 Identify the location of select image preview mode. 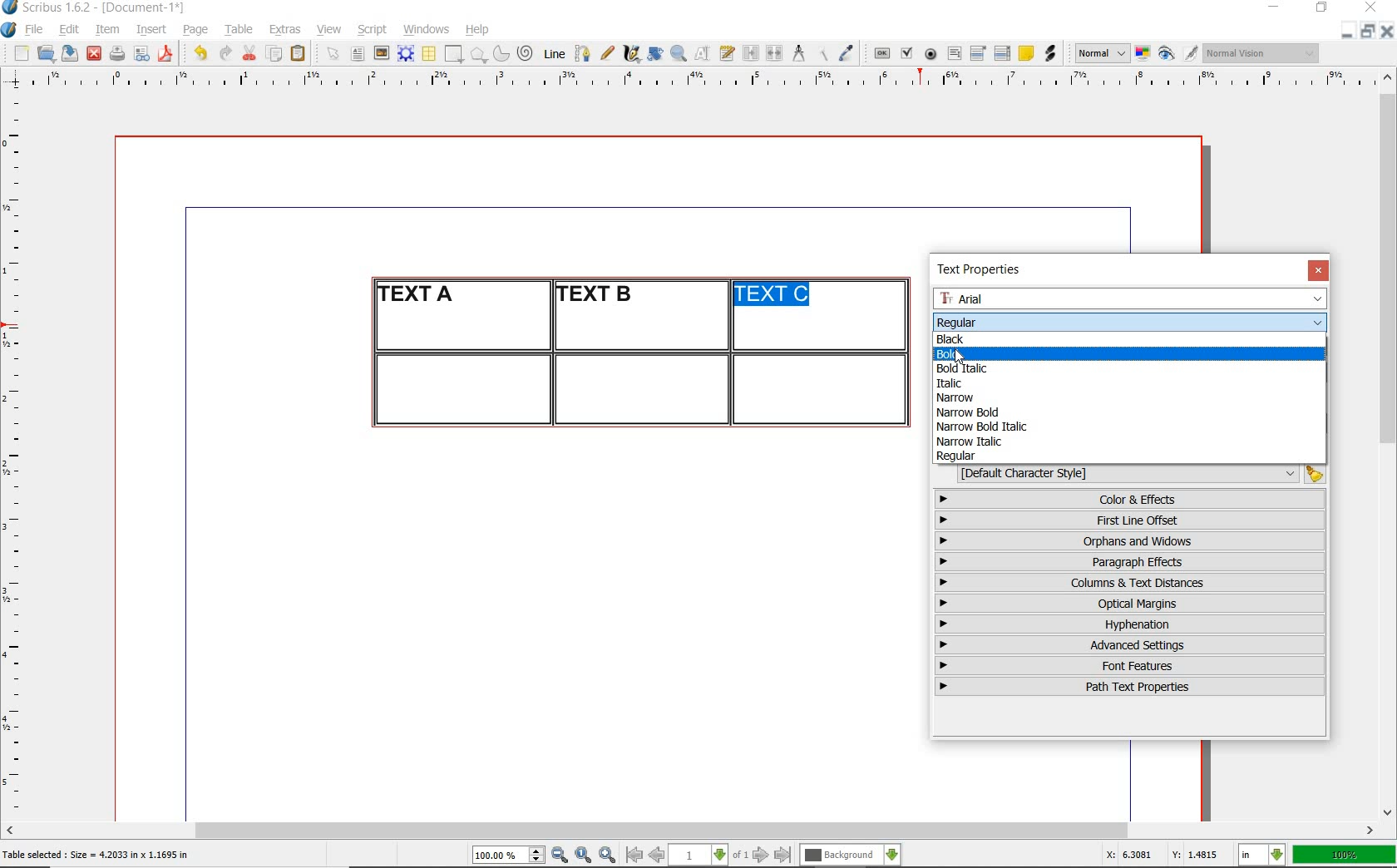
(1101, 54).